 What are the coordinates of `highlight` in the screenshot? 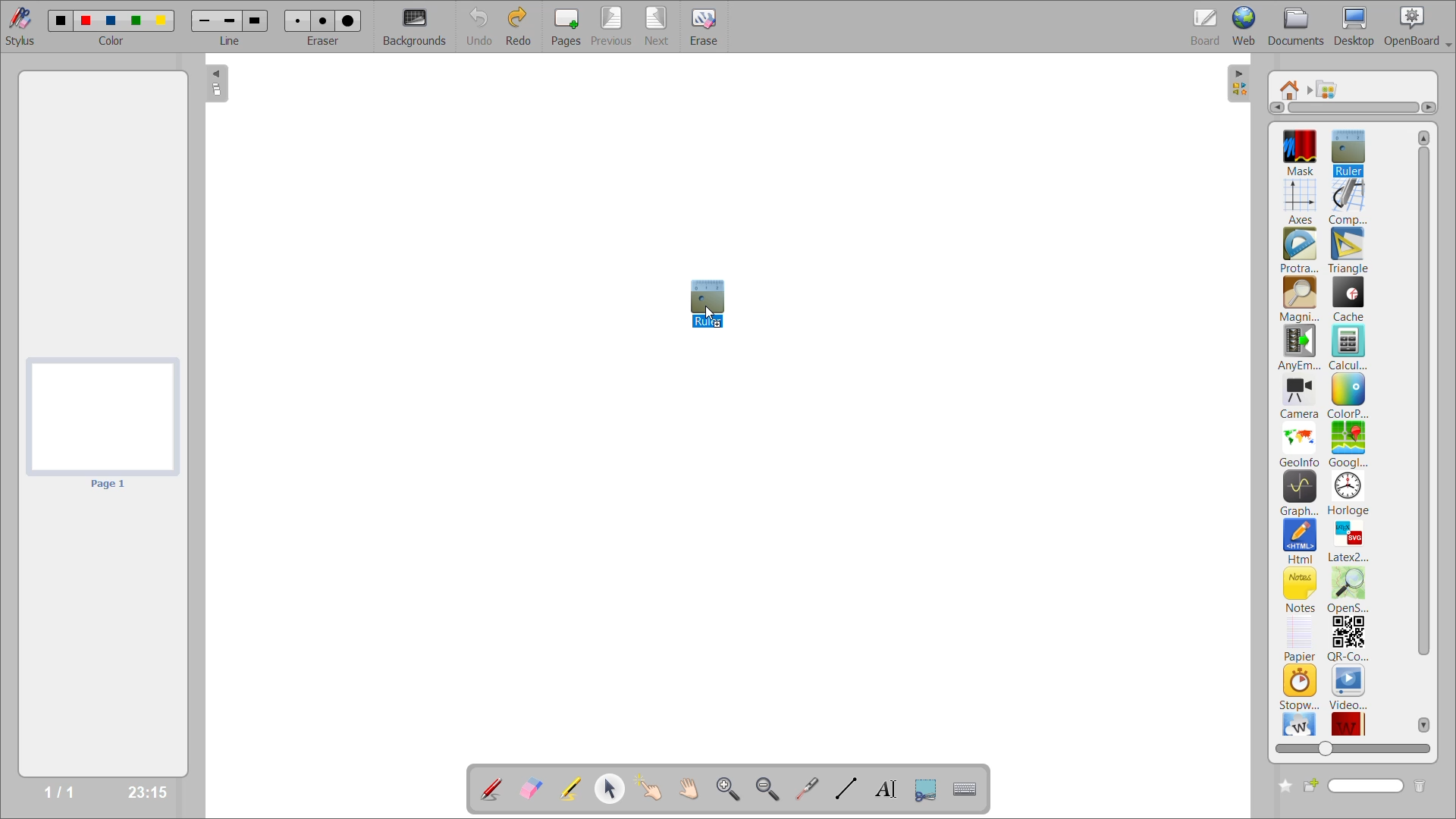 It's located at (576, 790).